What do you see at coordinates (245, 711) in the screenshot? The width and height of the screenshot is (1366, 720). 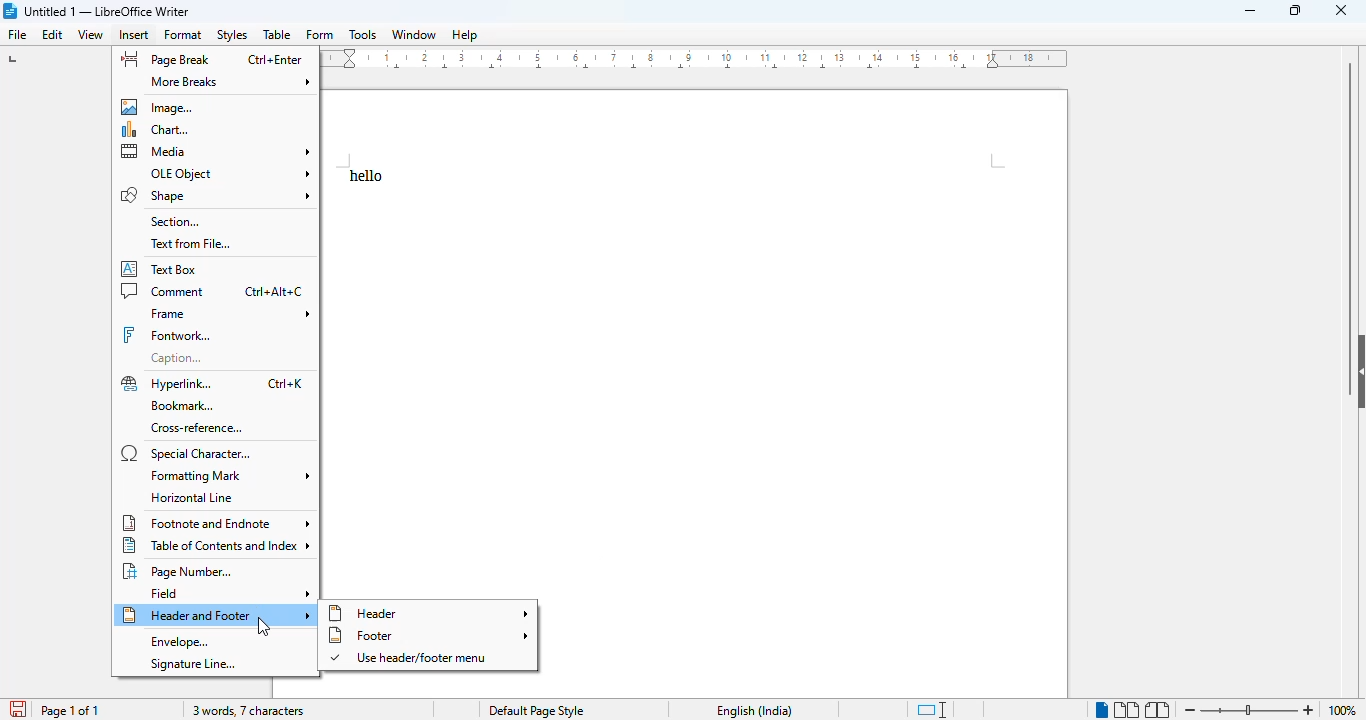 I see `3 words, 7 characters` at bounding box center [245, 711].